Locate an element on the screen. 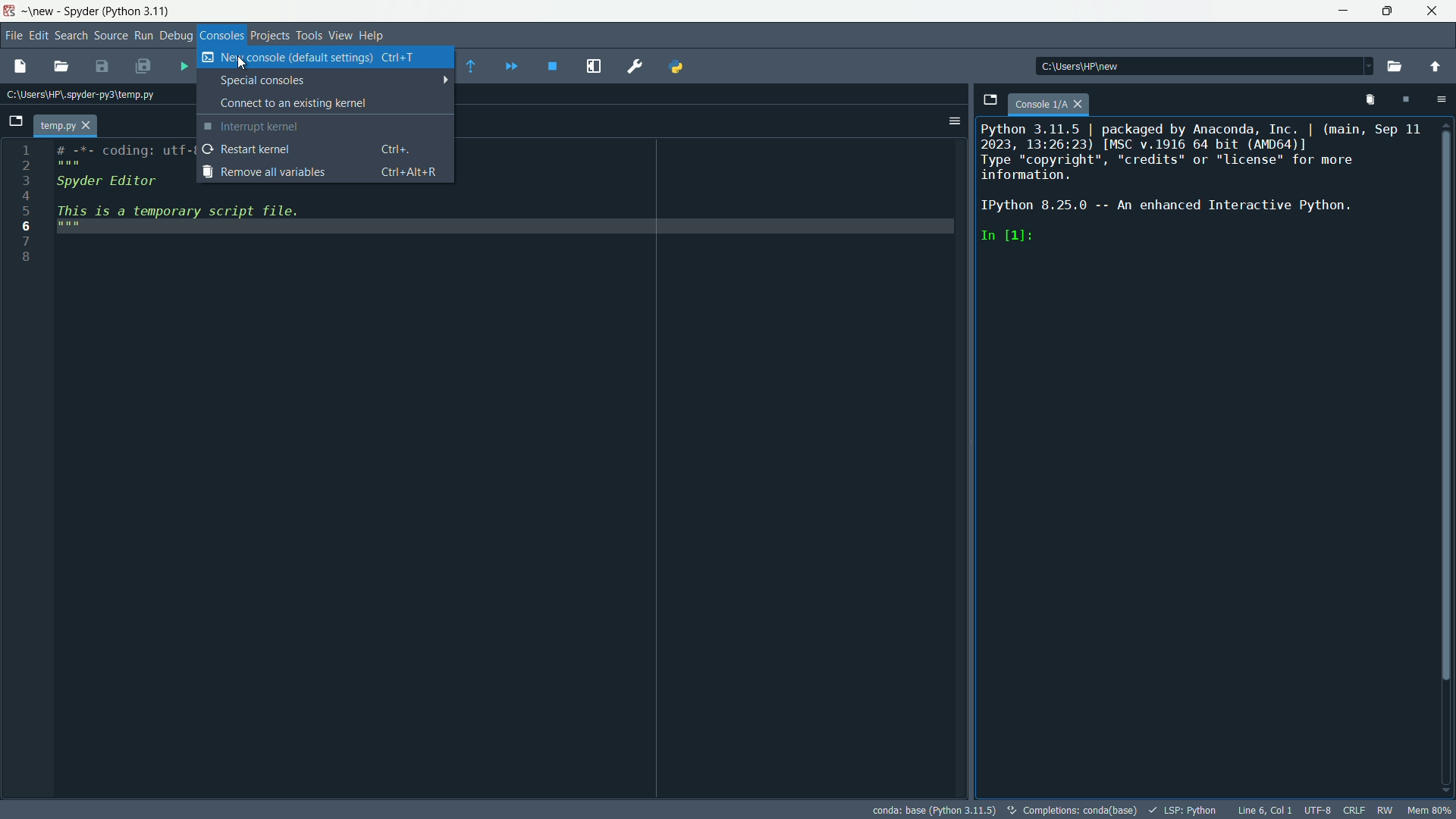 The width and height of the screenshot is (1456, 819). consoles menu is located at coordinates (221, 36).